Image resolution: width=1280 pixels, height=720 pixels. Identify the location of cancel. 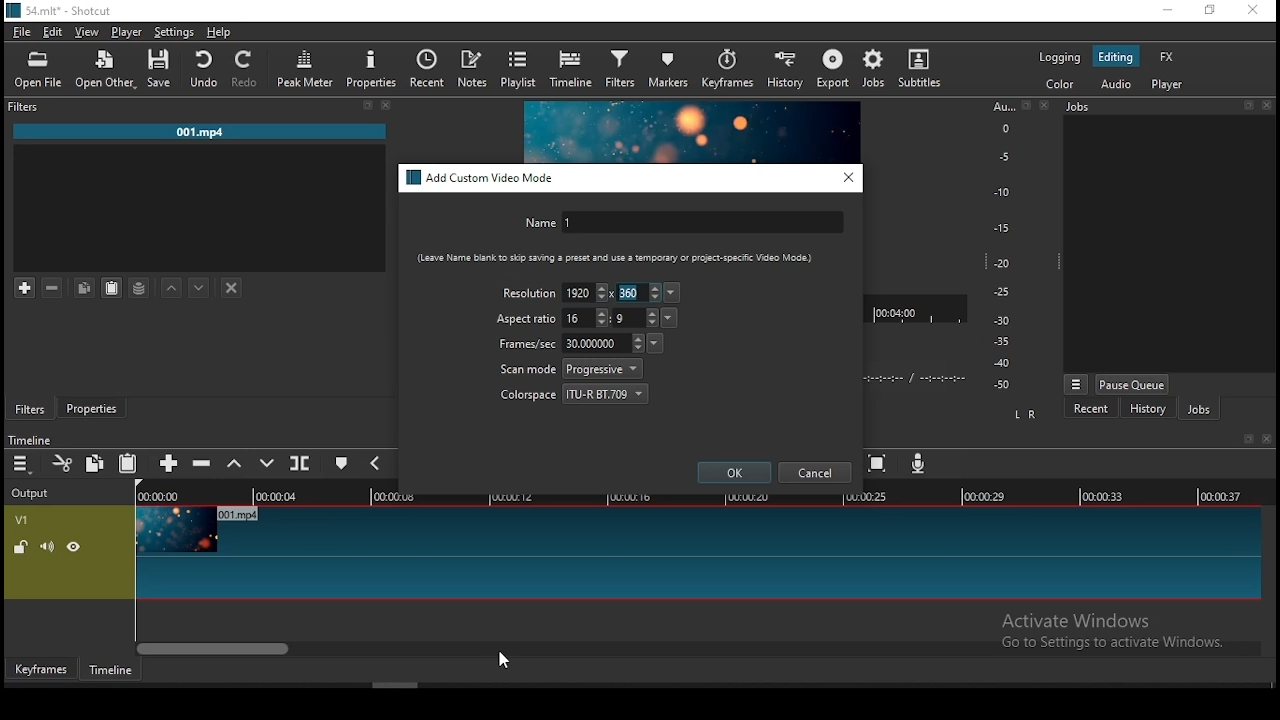
(815, 473).